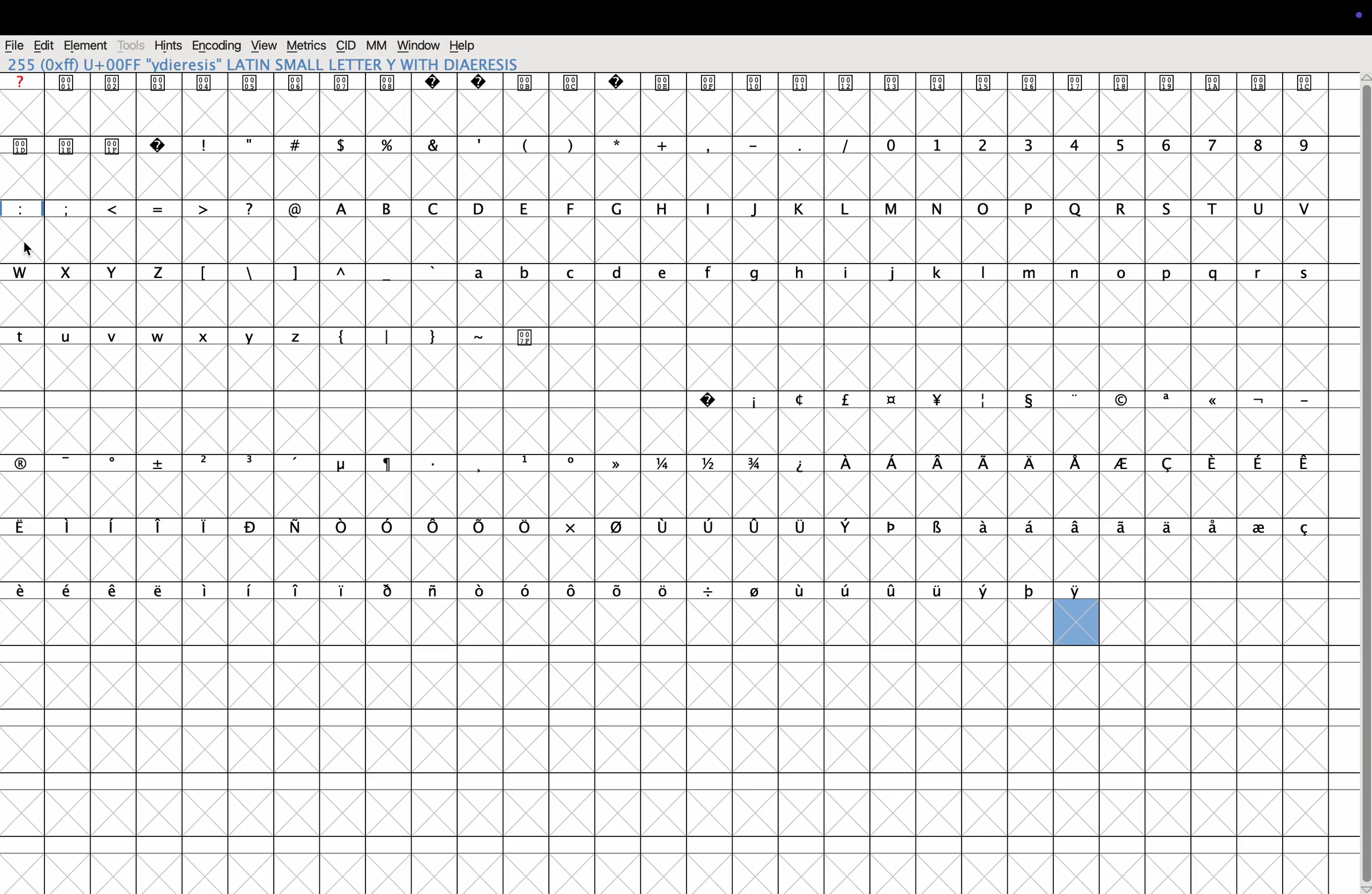 The height and width of the screenshot is (894, 1372). What do you see at coordinates (345, 354) in the screenshot?
I see `{` at bounding box center [345, 354].